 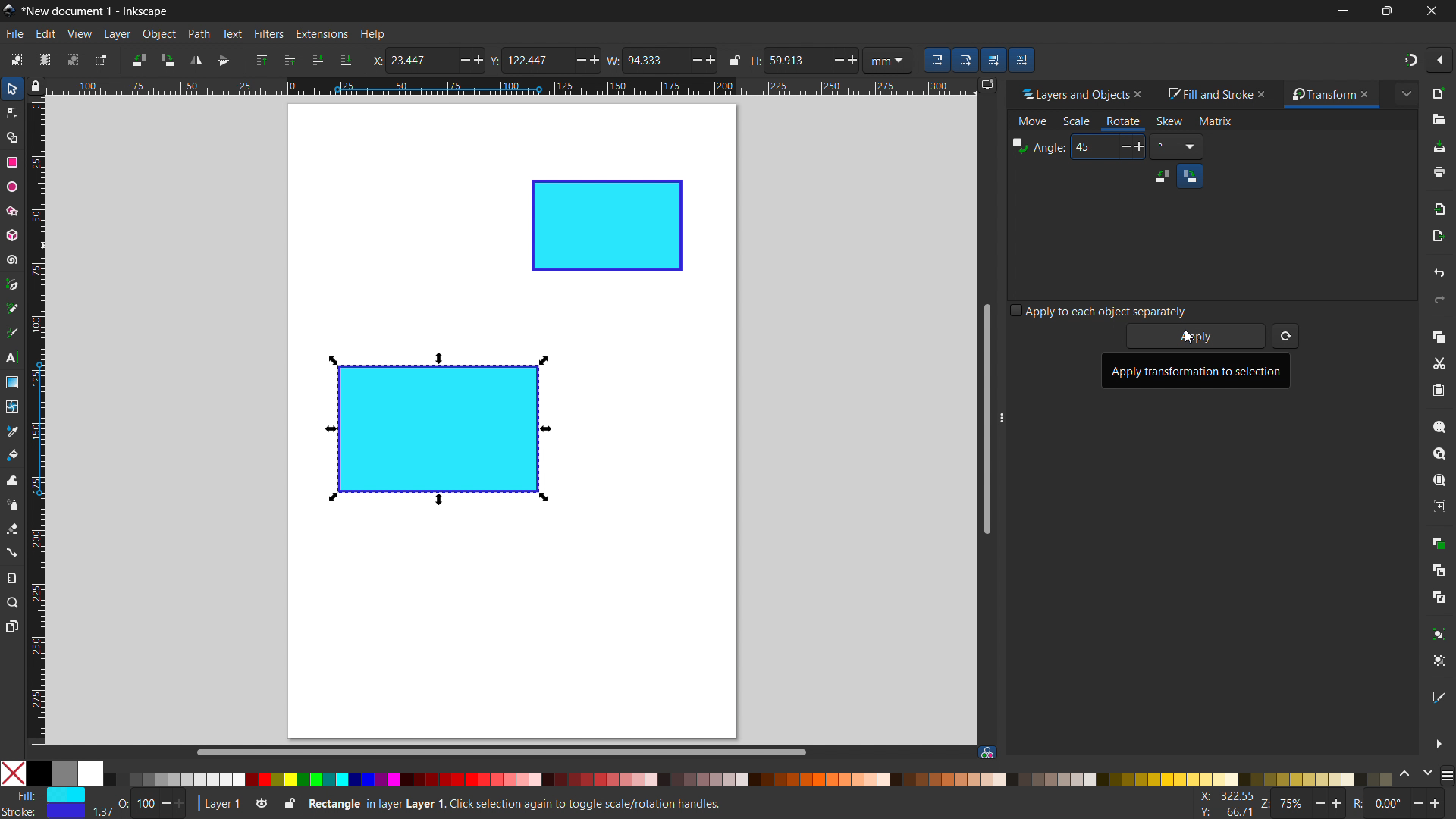 What do you see at coordinates (710, 59) in the screenshot?
I see `Add/ increase` at bounding box center [710, 59].